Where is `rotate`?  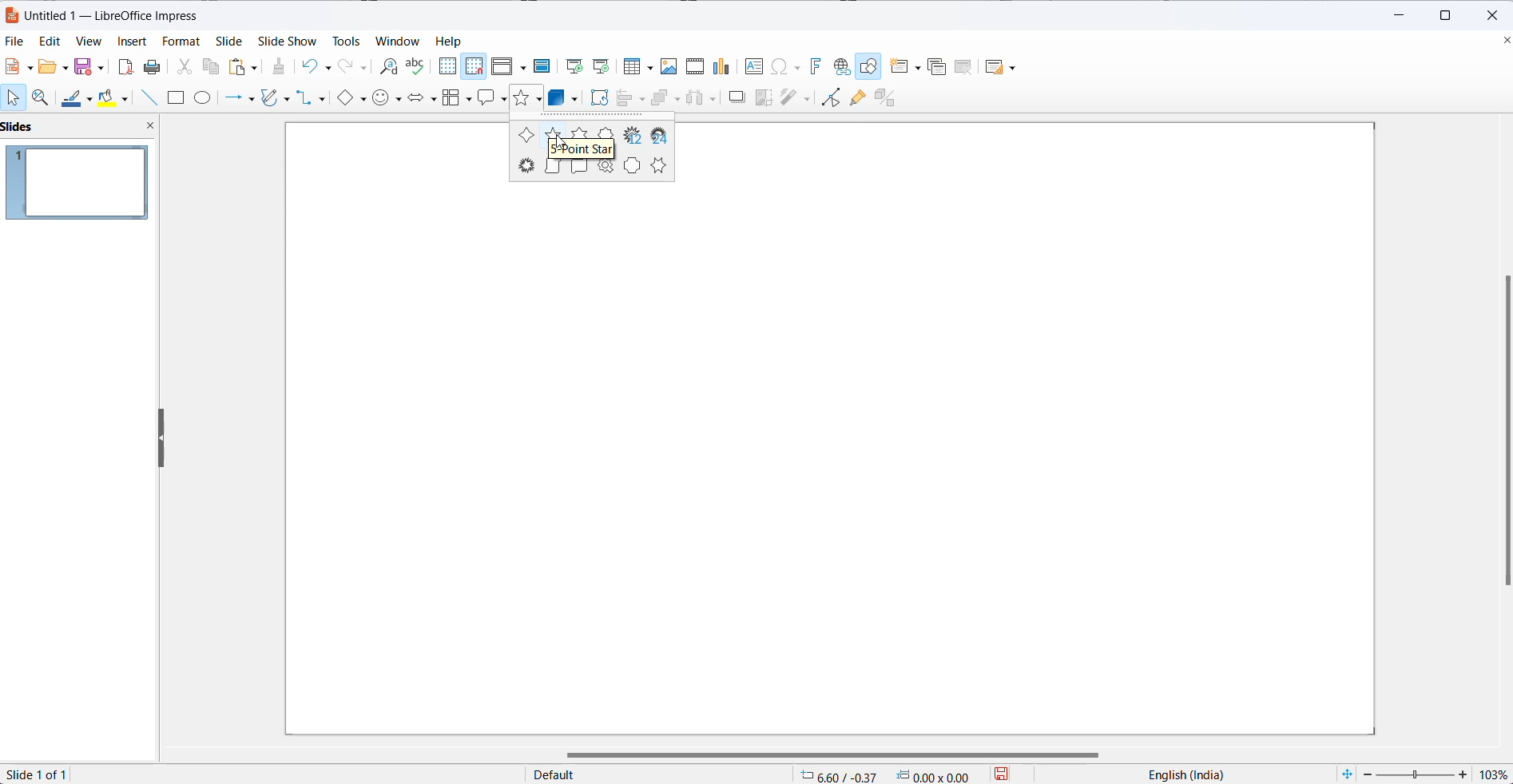
rotate is located at coordinates (600, 99).